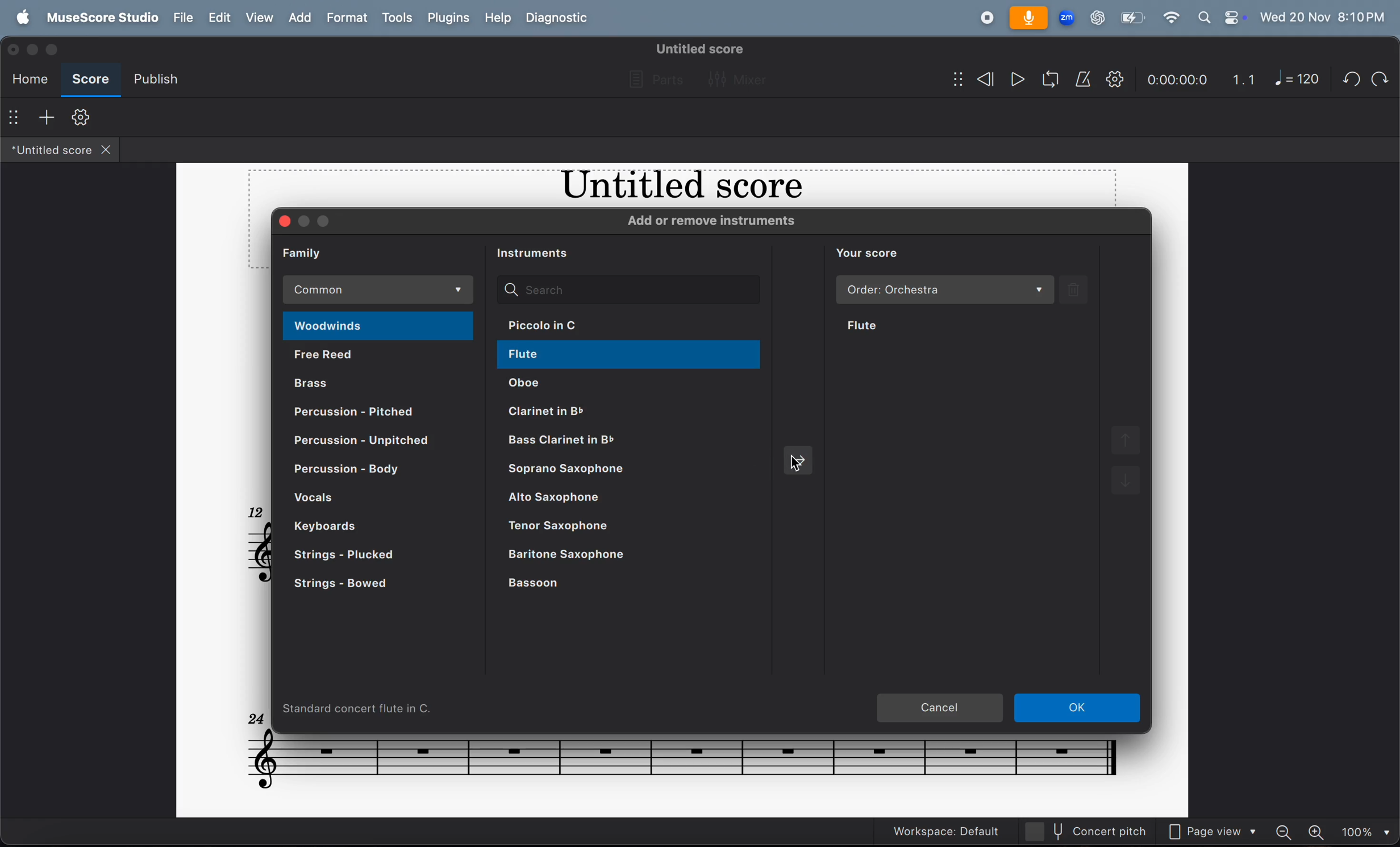  What do you see at coordinates (625, 528) in the screenshot?
I see `tenor saxophone` at bounding box center [625, 528].